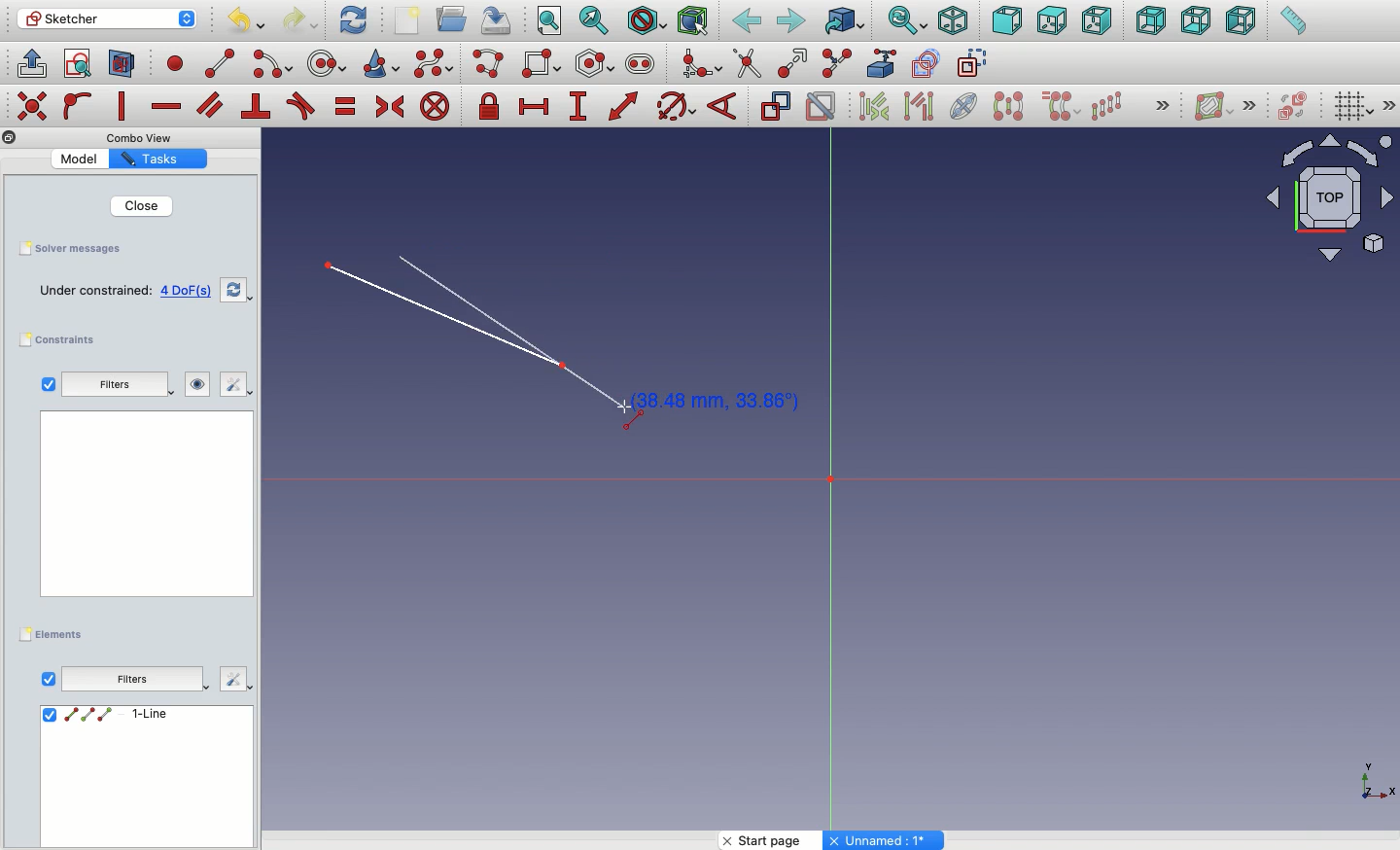 The image size is (1400, 850). What do you see at coordinates (581, 108) in the screenshot?
I see `Constrain vertical distance` at bounding box center [581, 108].